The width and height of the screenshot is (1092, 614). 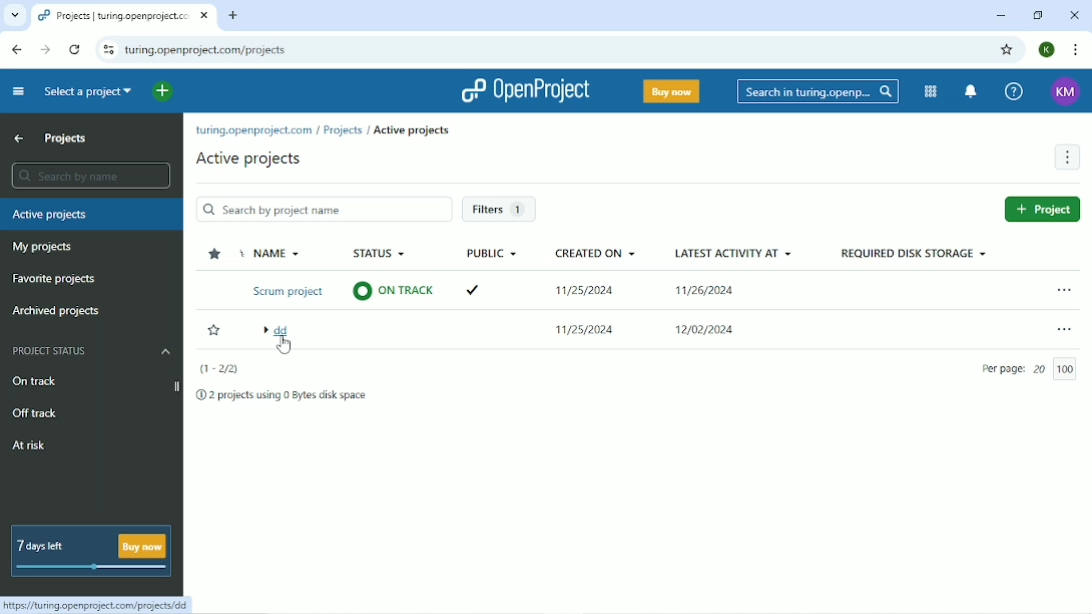 I want to click on Search by project name, so click(x=324, y=210).